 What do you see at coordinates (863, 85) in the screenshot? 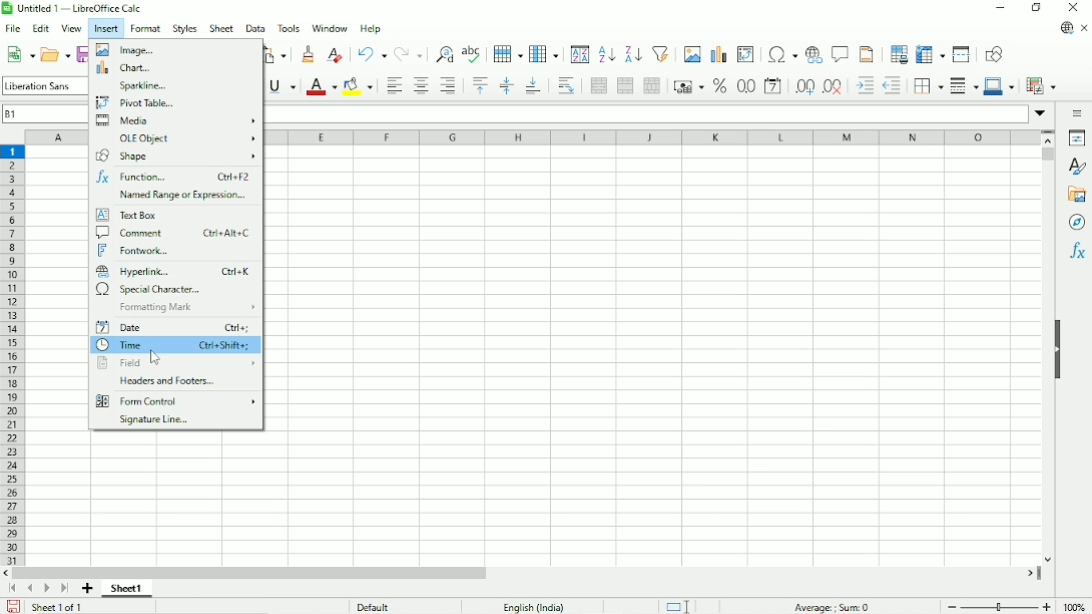
I see `Increase indent` at bounding box center [863, 85].